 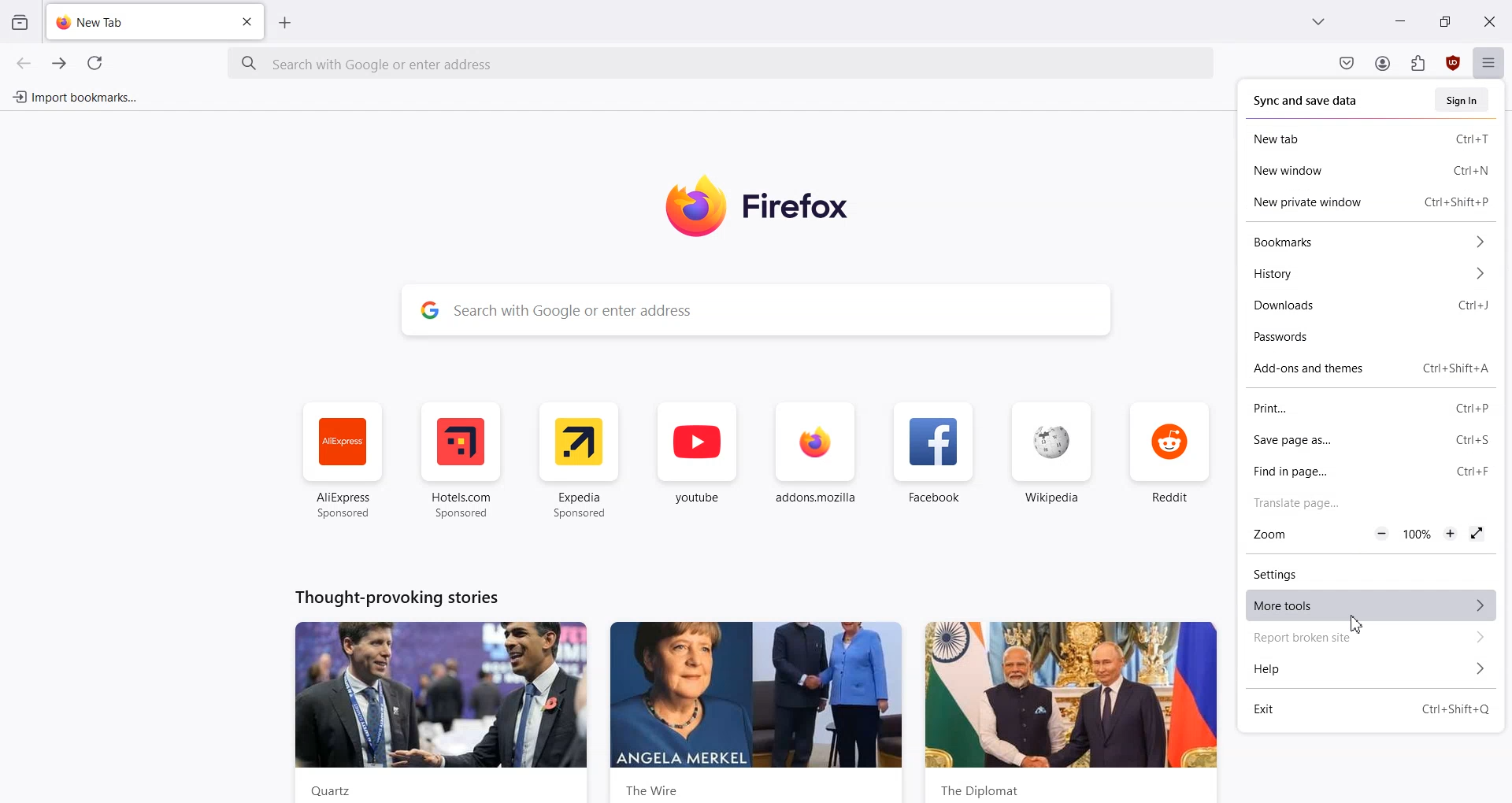 I want to click on Find in pages, so click(x=1332, y=470).